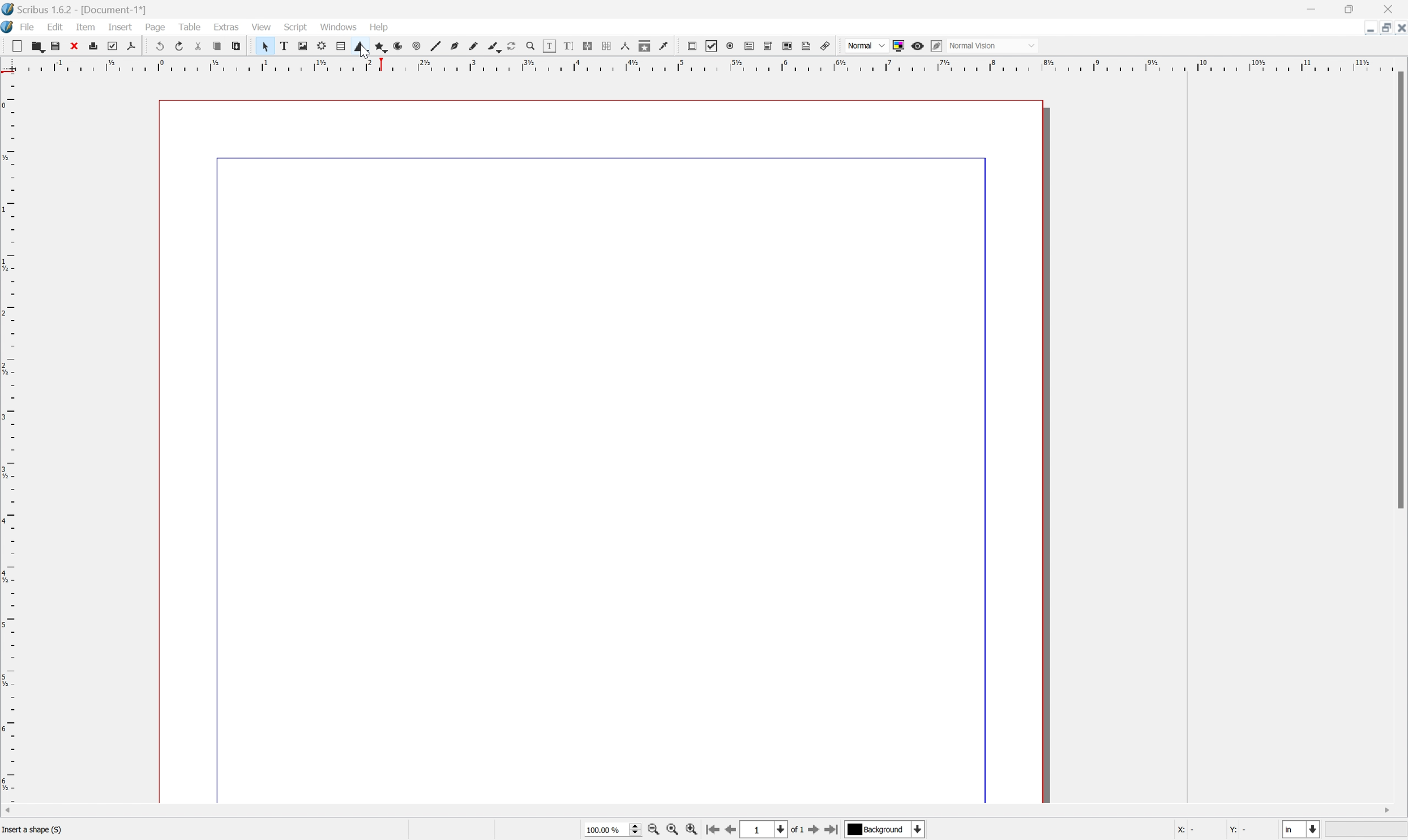  I want to click on Script, so click(297, 27).